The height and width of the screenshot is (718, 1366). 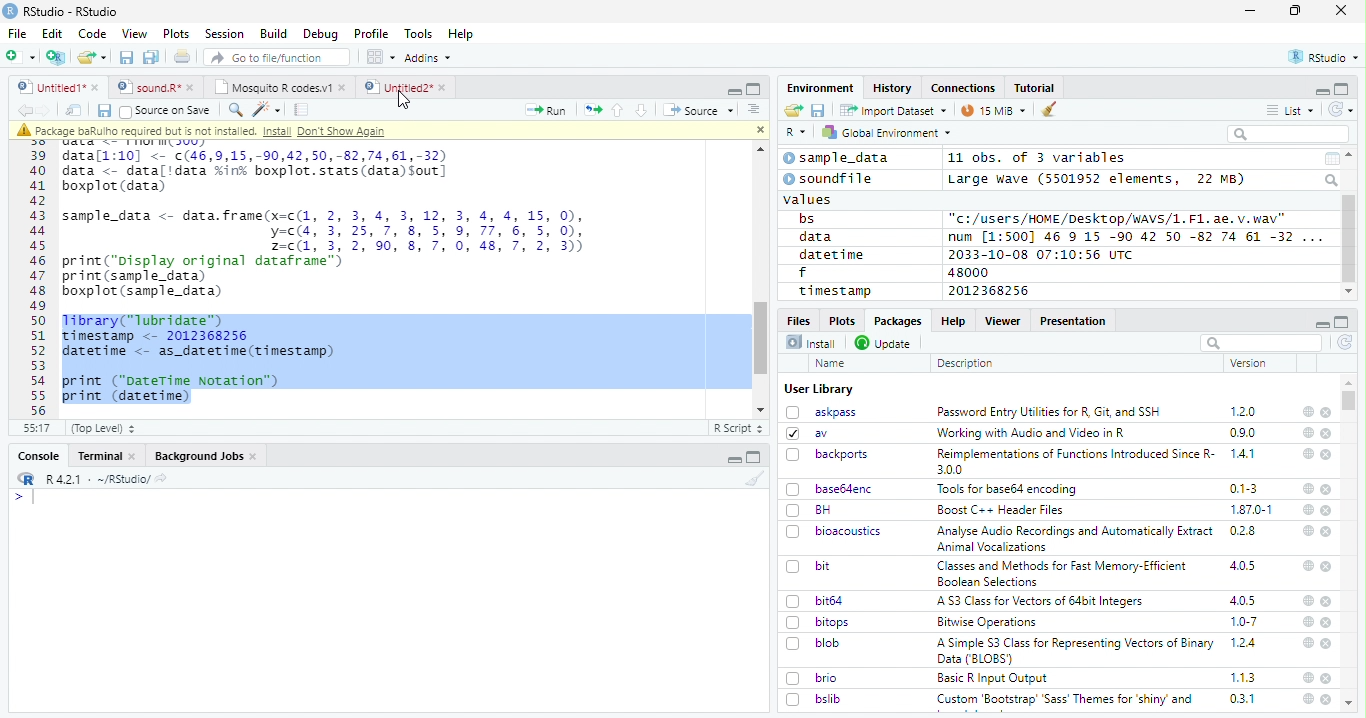 What do you see at coordinates (409, 88) in the screenshot?
I see `Untitled2*` at bounding box center [409, 88].